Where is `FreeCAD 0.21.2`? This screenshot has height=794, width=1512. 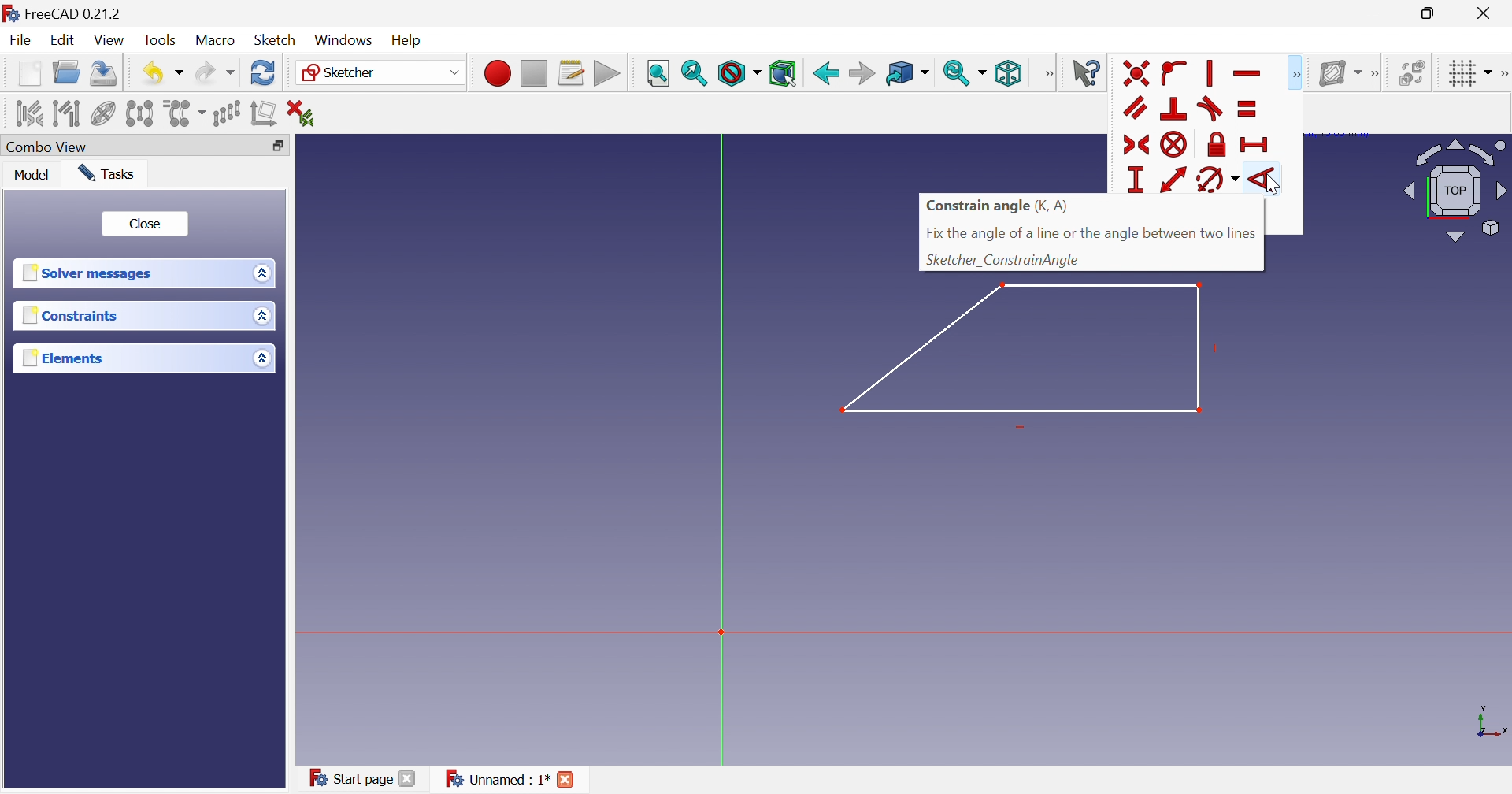
FreeCAD 0.21.2 is located at coordinates (67, 12).